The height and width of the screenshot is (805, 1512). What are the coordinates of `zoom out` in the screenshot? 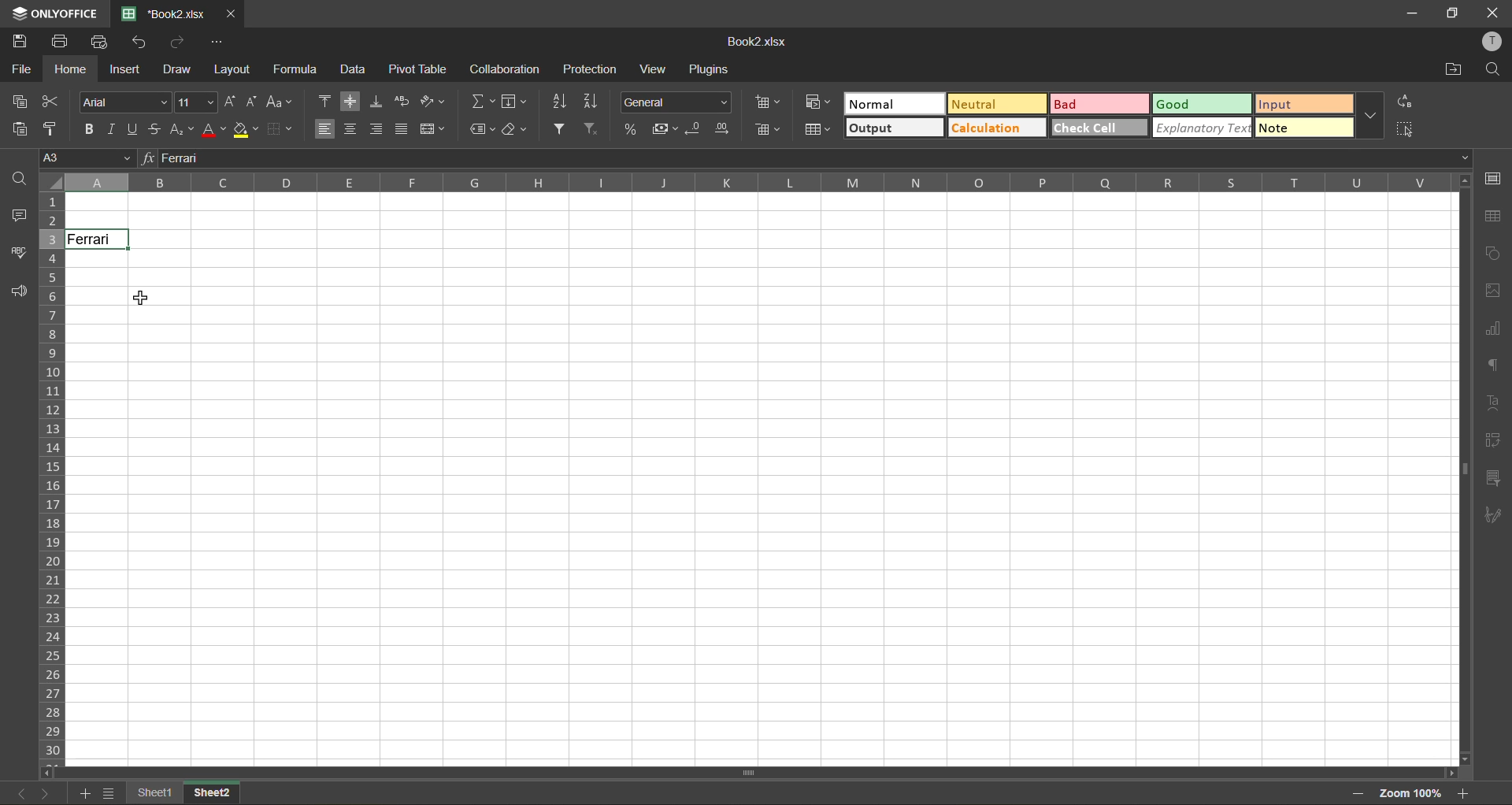 It's located at (1358, 794).